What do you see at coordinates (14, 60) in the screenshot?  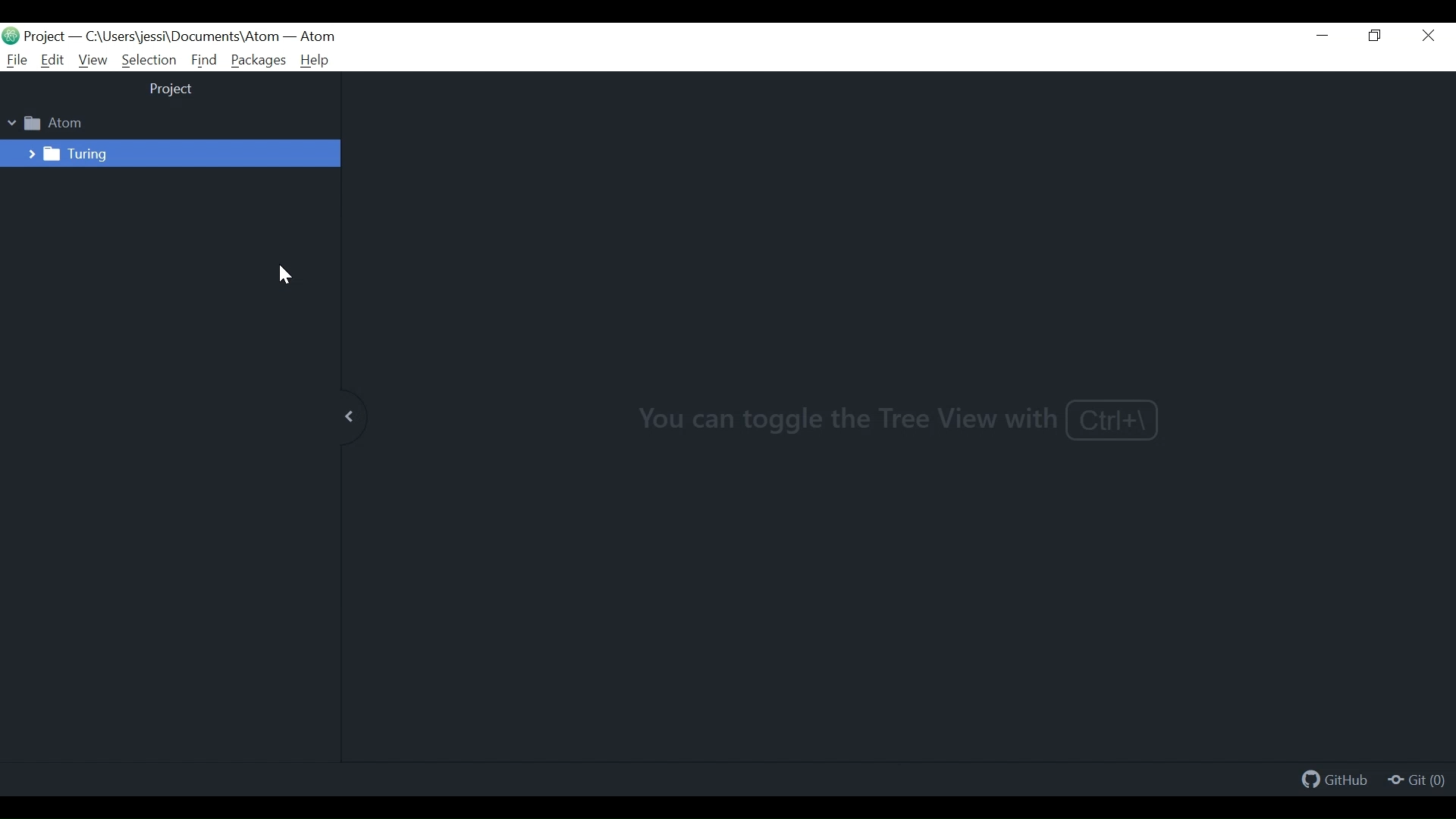 I see `File` at bounding box center [14, 60].